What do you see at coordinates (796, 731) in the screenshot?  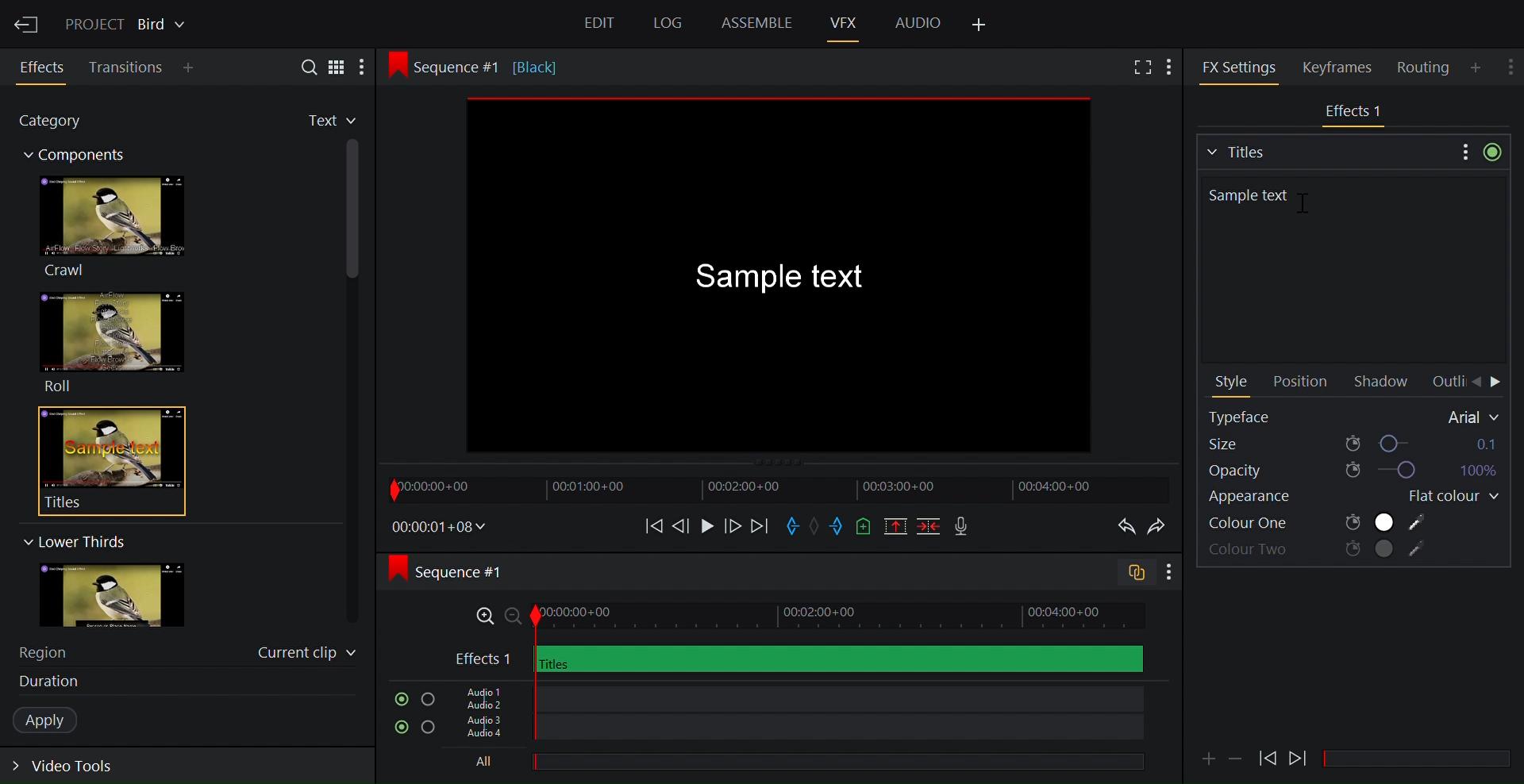 I see `Audio Track 3, Audio Track 4` at bounding box center [796, 731].